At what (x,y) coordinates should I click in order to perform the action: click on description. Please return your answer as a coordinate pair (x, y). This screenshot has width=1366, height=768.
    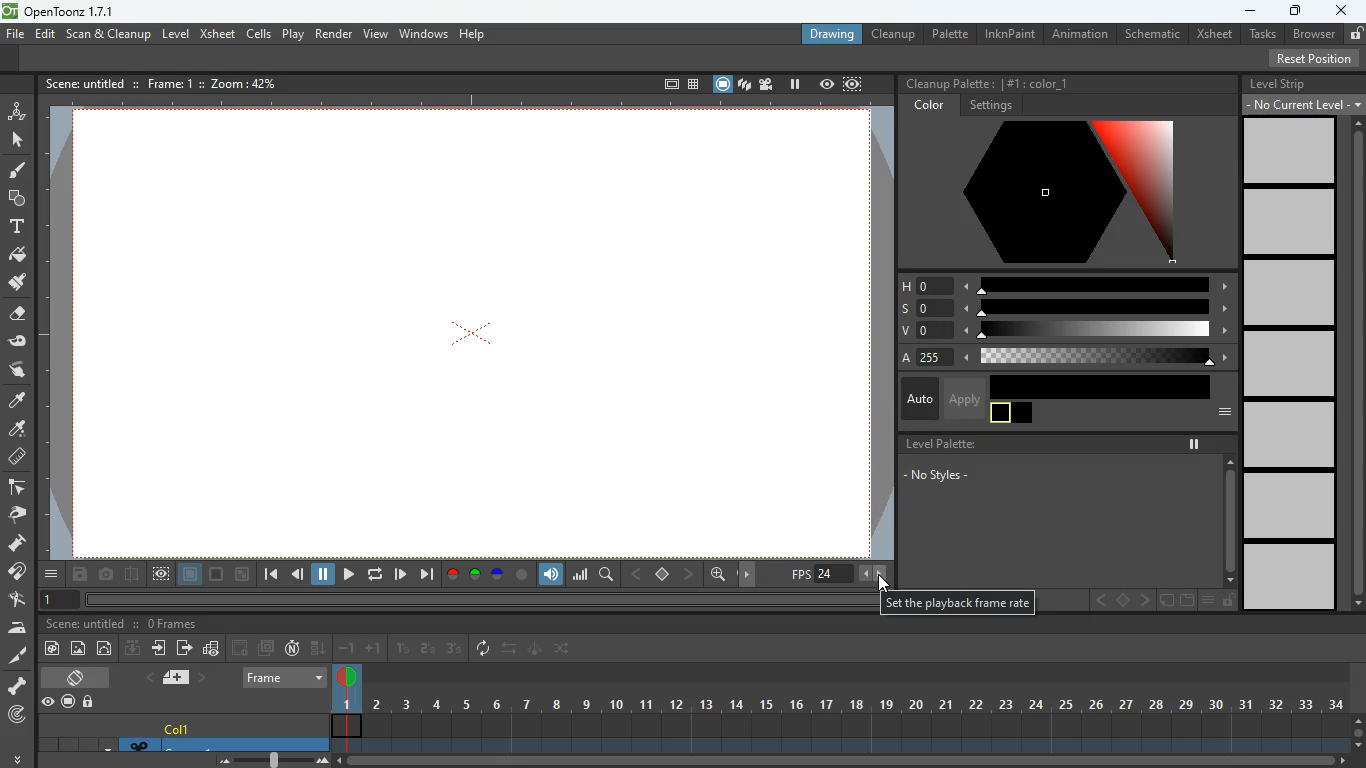
    Looking at the image, I should click on (960, 602).